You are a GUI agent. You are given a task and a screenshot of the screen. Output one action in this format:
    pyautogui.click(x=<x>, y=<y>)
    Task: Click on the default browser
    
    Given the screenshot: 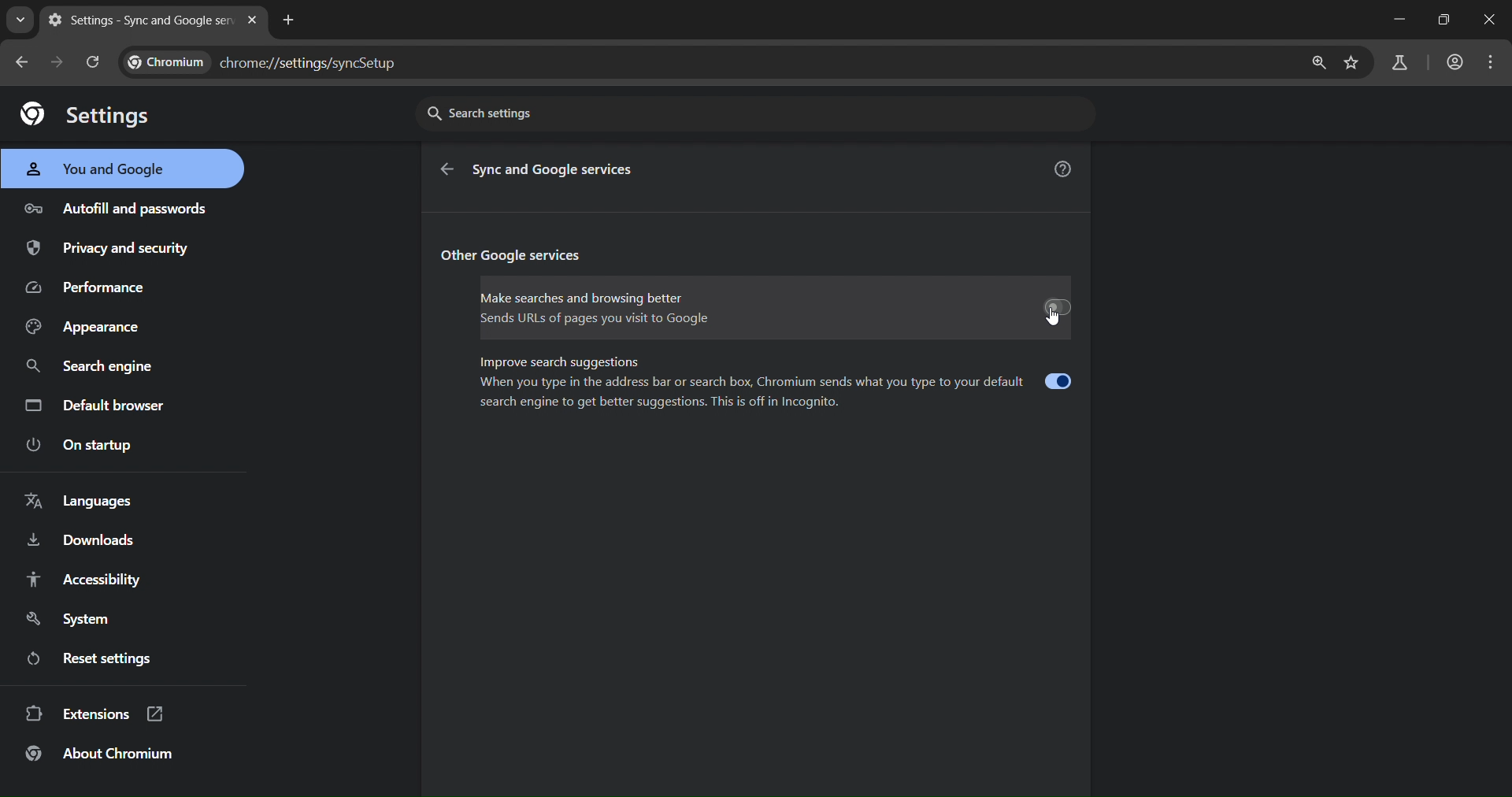 What is the action you would take?
    pyautogui.click(x=98, y=407)
    